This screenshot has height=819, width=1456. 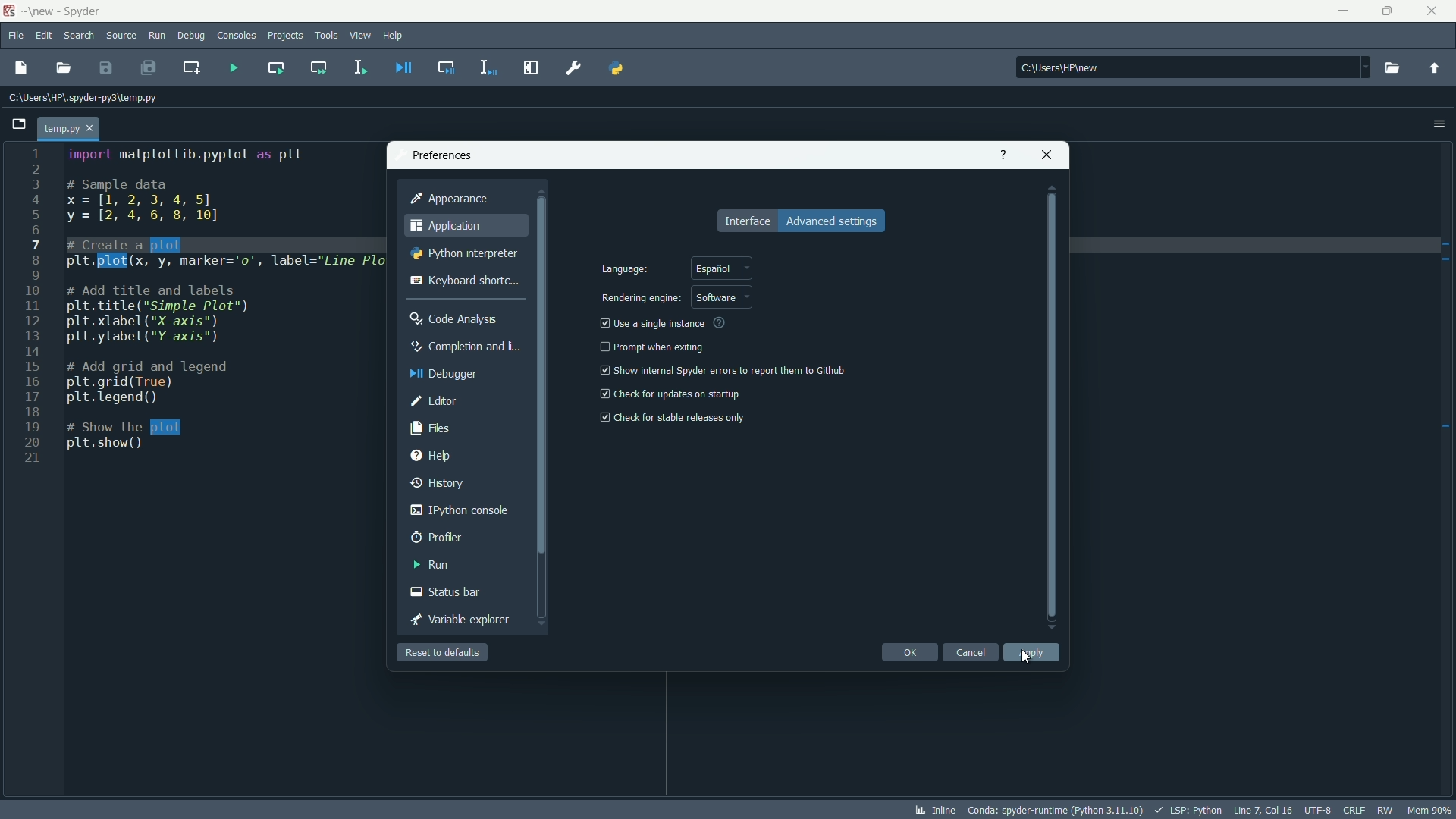 I want to click on C:\Users\HP\.spyder-py3\temp.py, so click(x=79, y=98).